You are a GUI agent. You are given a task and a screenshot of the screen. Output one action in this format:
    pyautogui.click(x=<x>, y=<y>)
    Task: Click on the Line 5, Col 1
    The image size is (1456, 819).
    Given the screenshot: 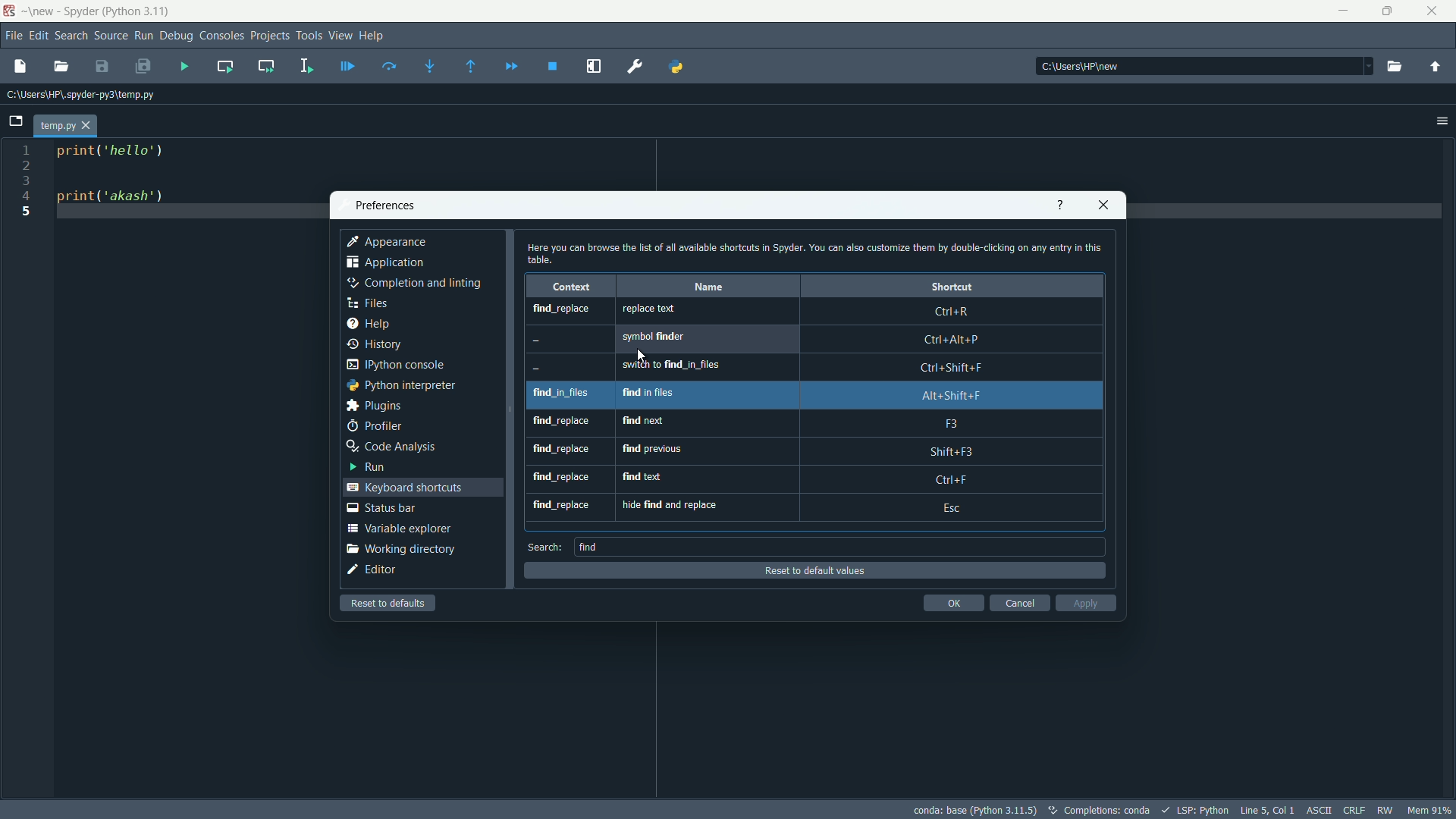 What is the action you would take?
    pyautogui.click(x=1267, y=810)
    